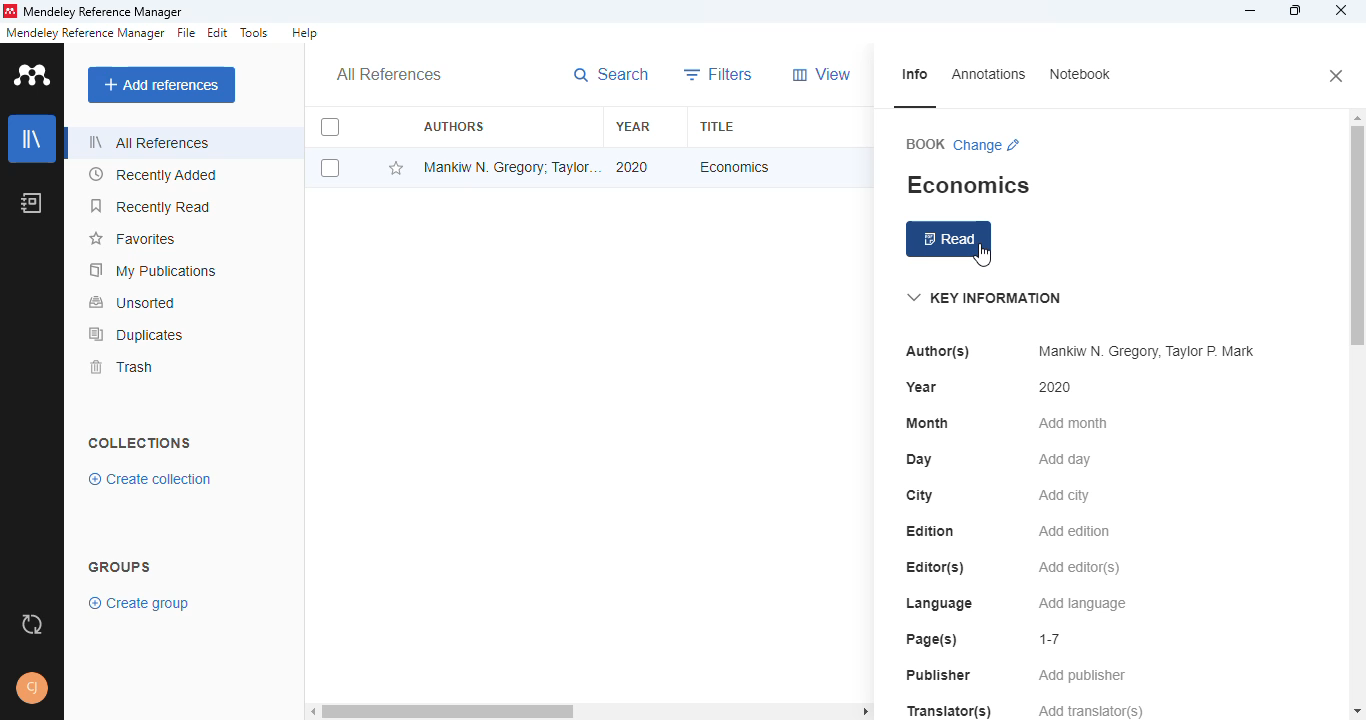  What do you see at coordinates (389, 74) in the screenshot?
I see `all references` at bounding box center [389, 74].